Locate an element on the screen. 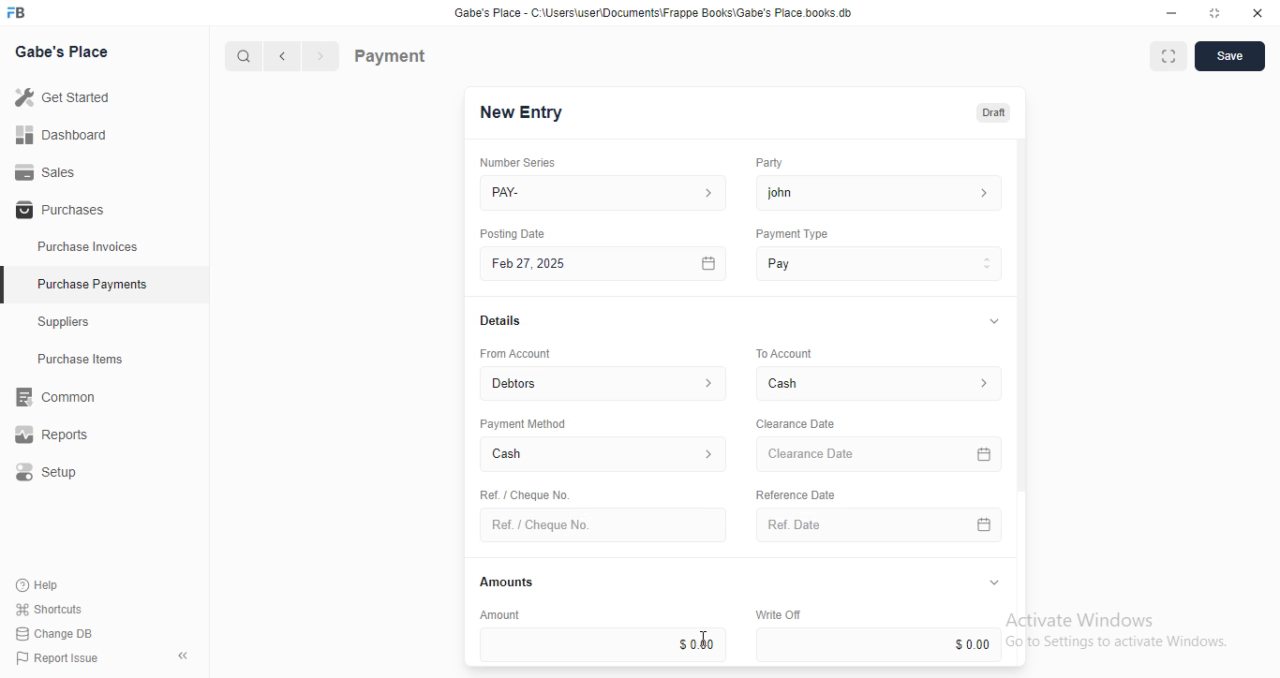 This screenshot has height=678, width=1280. Rit
Common is located at coordinates (55, 398).